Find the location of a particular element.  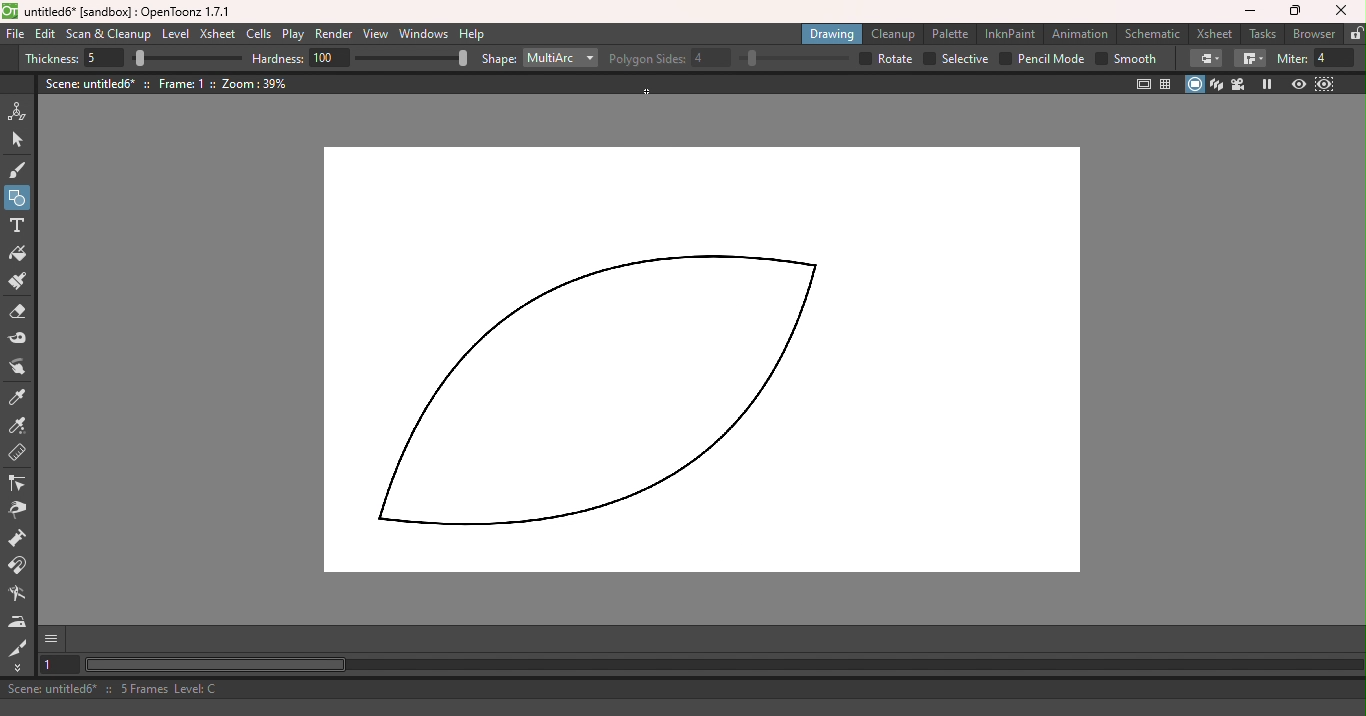

untitled6* [sandbox] : OpenToonz 1.7.1 is located at coordinates (119, 12).